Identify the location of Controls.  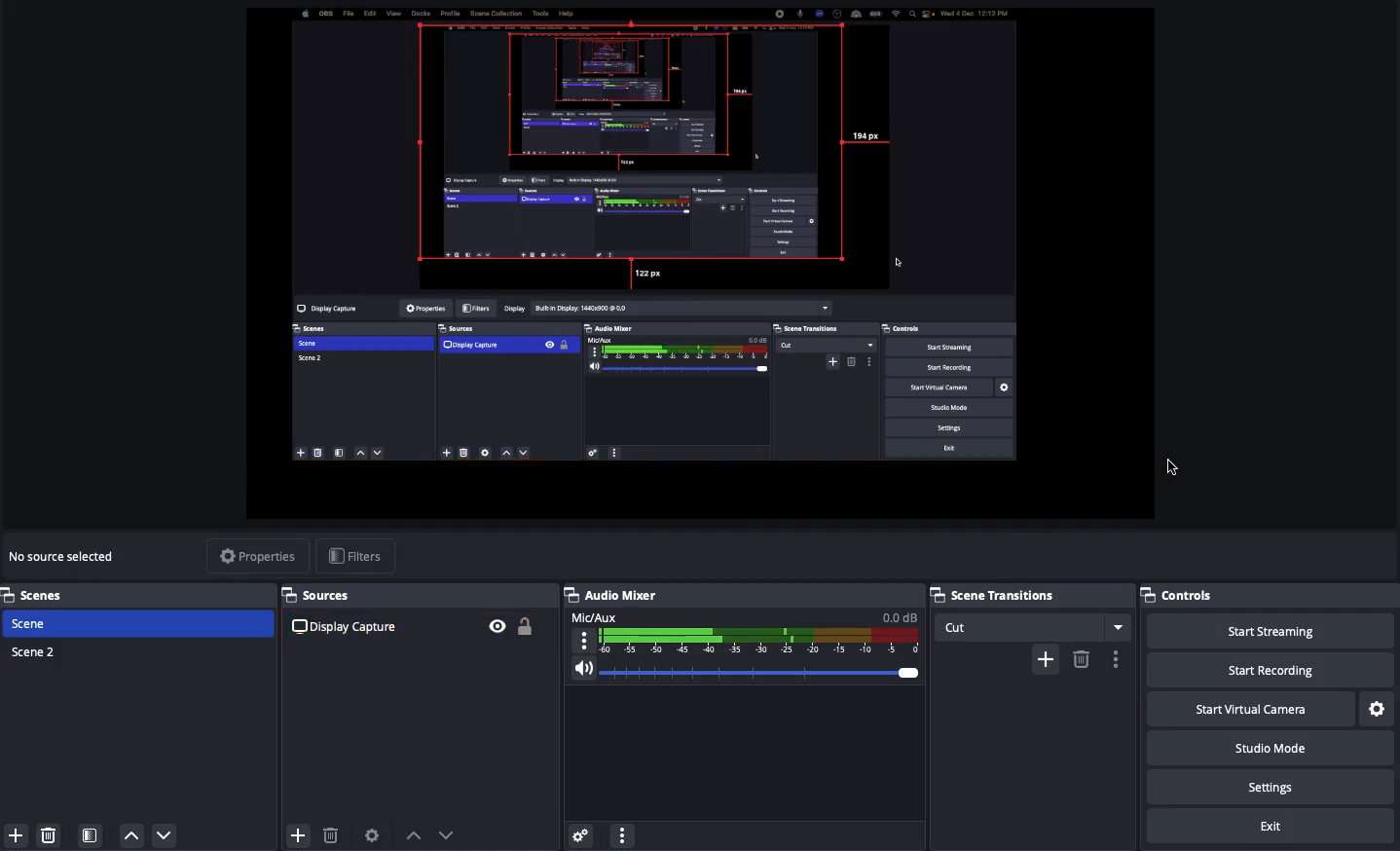
(1201, 597).